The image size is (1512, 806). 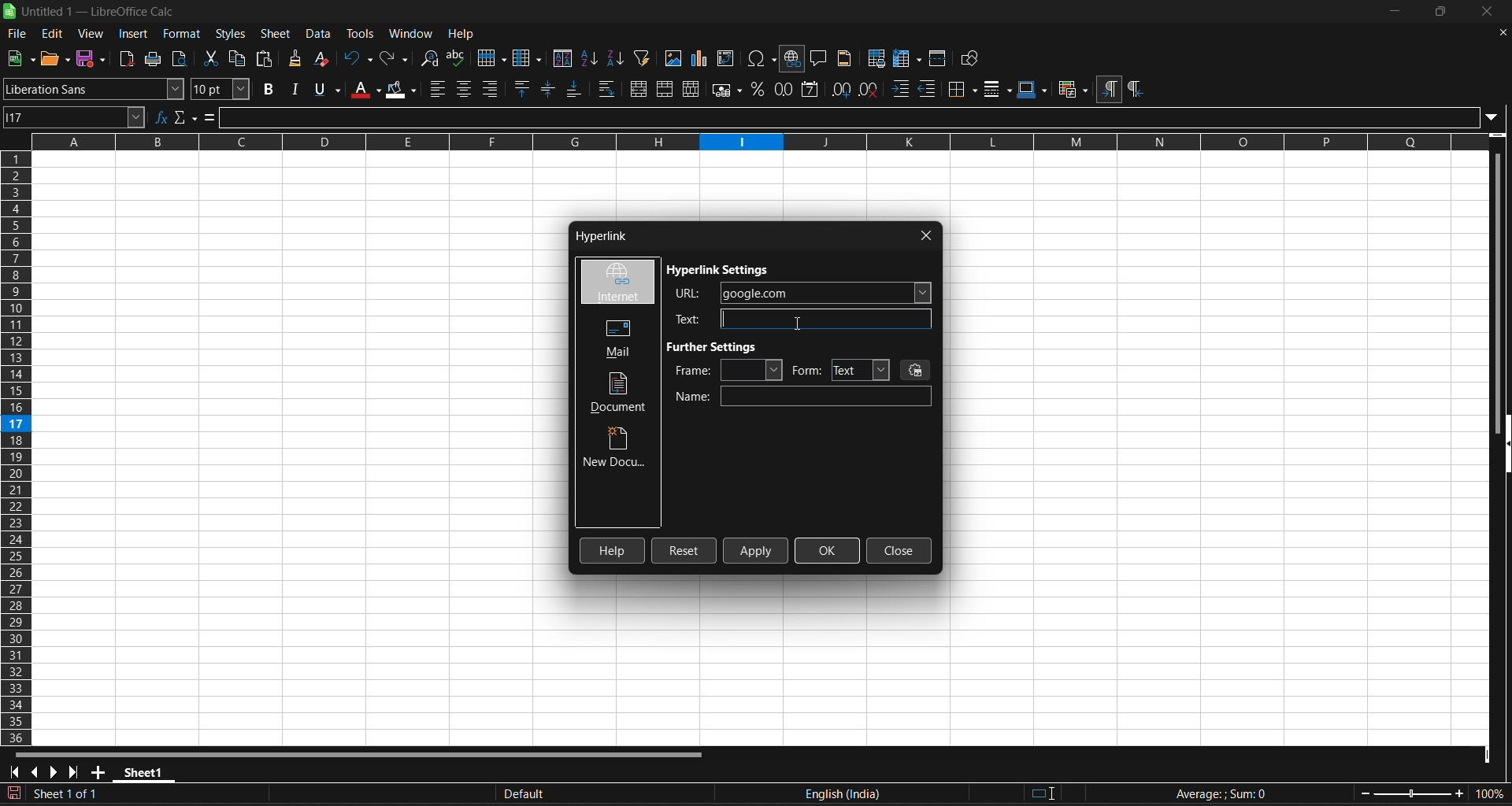 I want to click on add decimal place, so click(x=839, y=89).